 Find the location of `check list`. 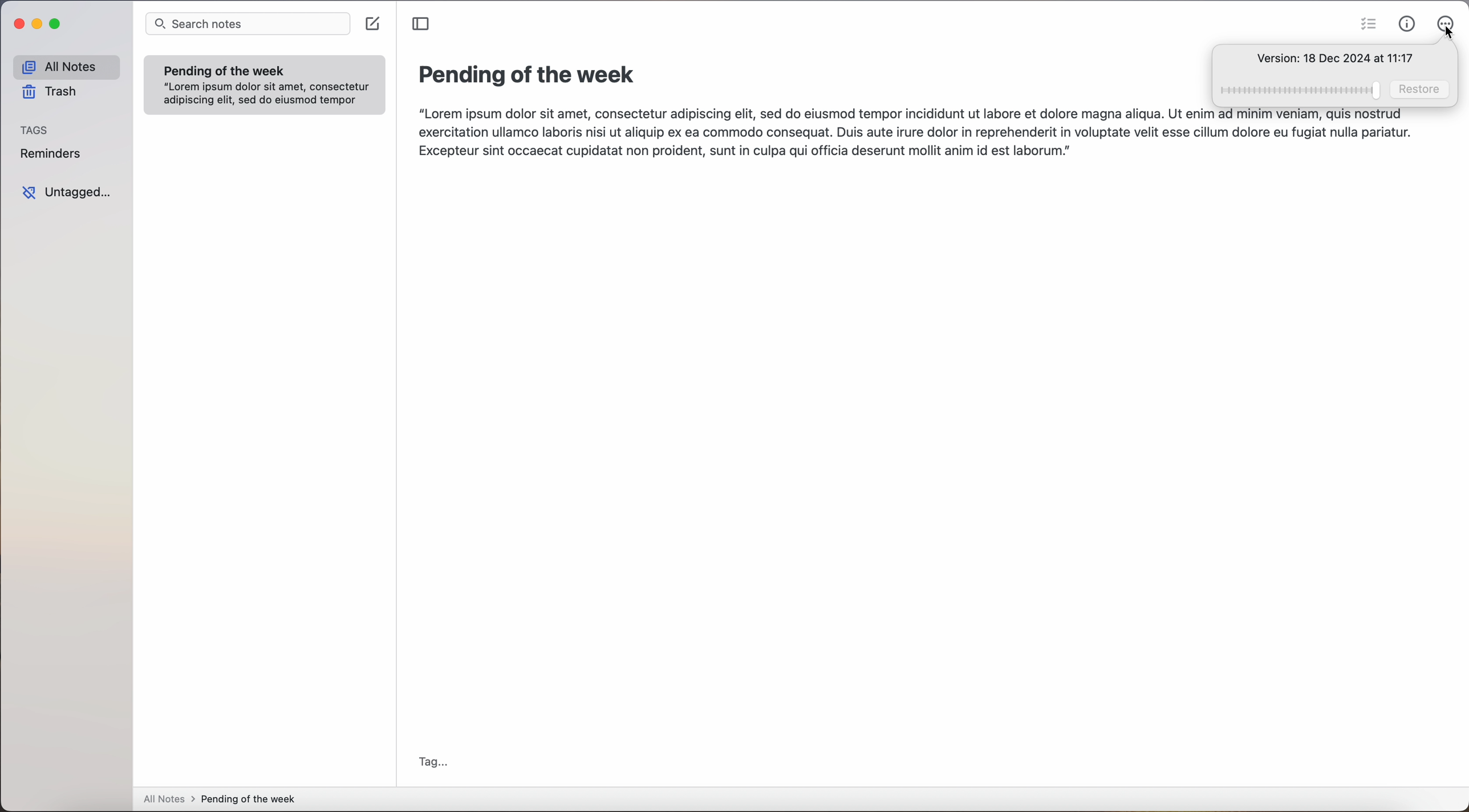

check list is located at coordinates (1368, 25).